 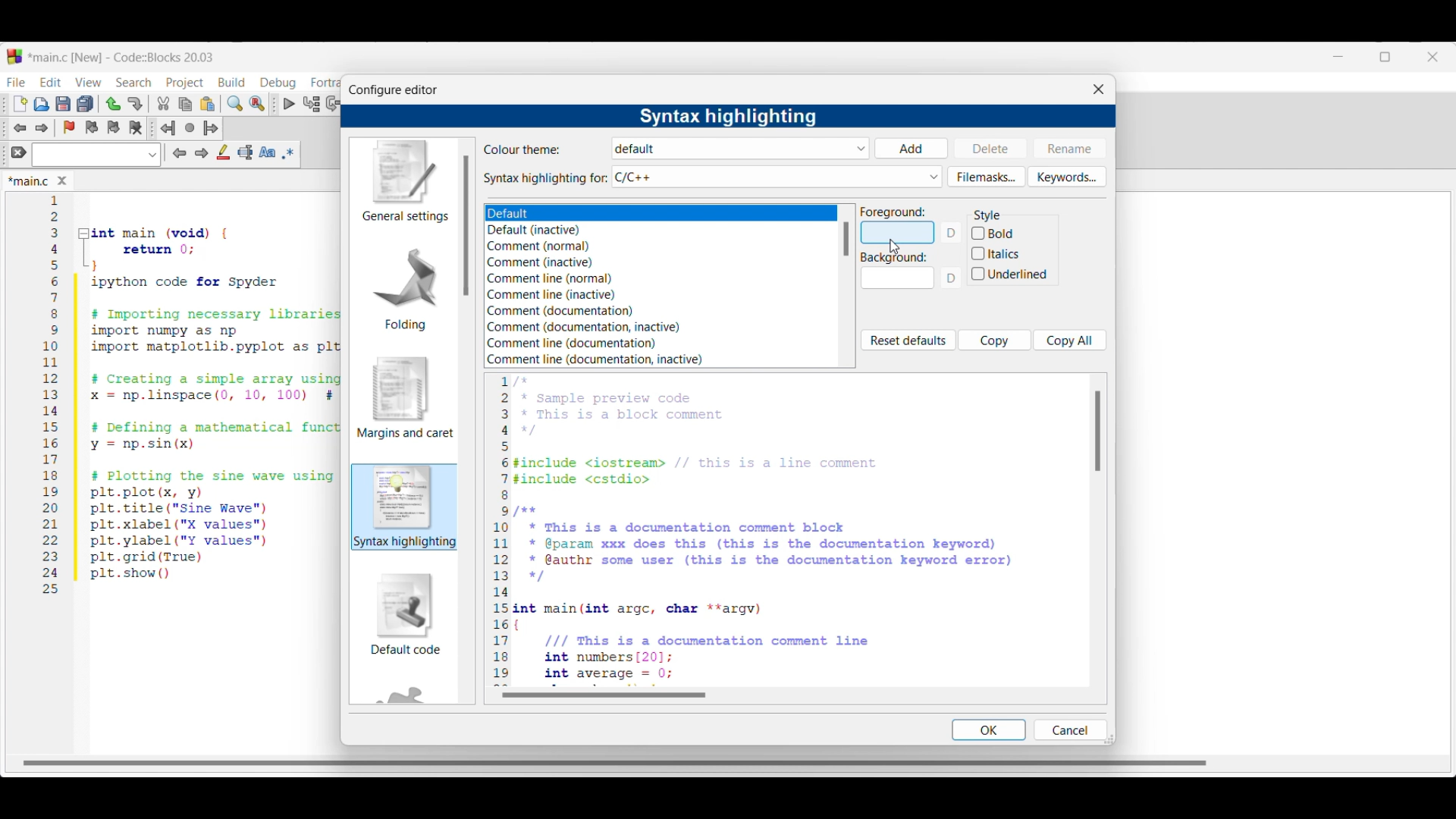 I want to click on Cut, so click(x=164, y=103).